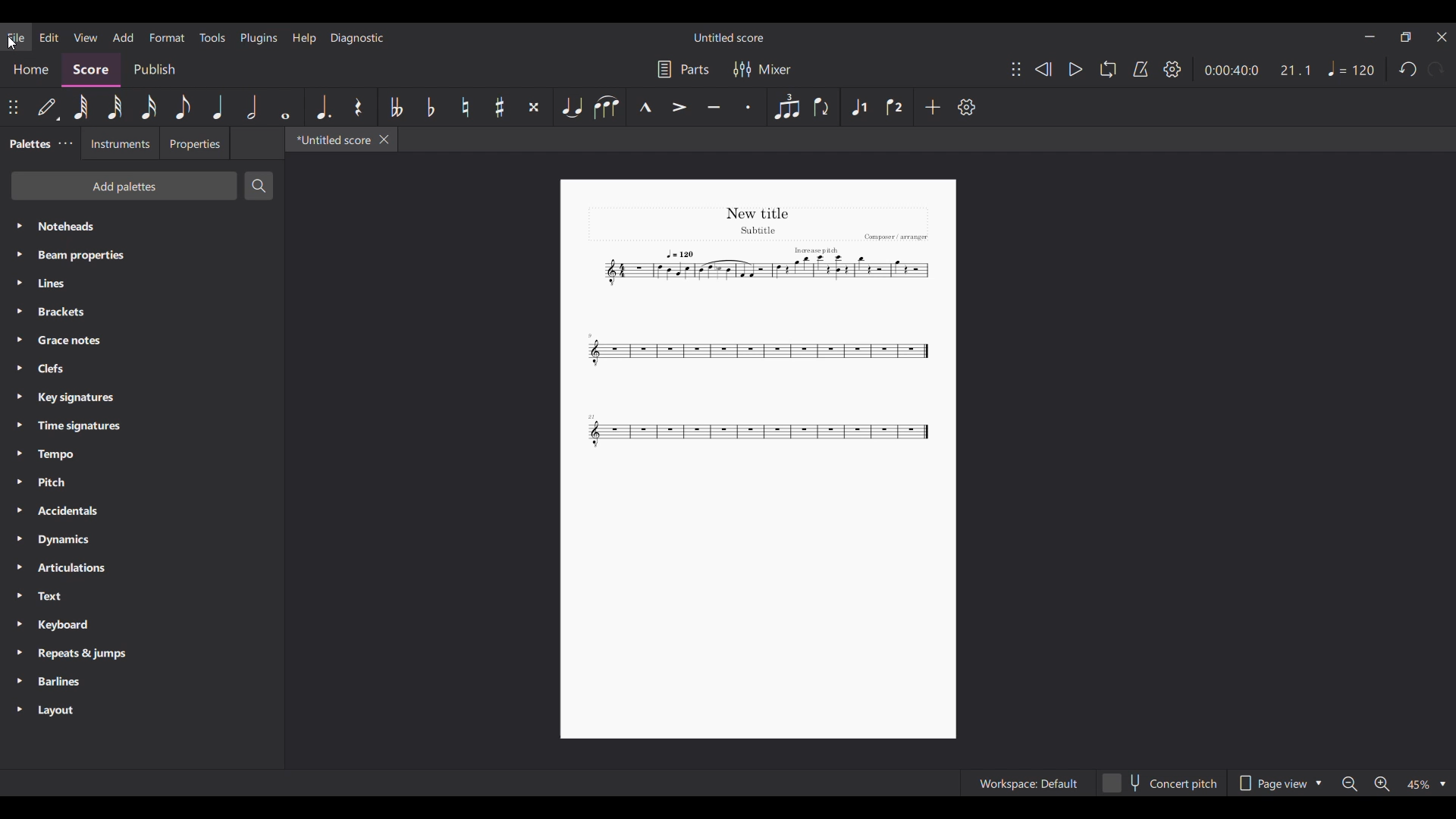  I want to click on Time signatures, so click(141, 426).